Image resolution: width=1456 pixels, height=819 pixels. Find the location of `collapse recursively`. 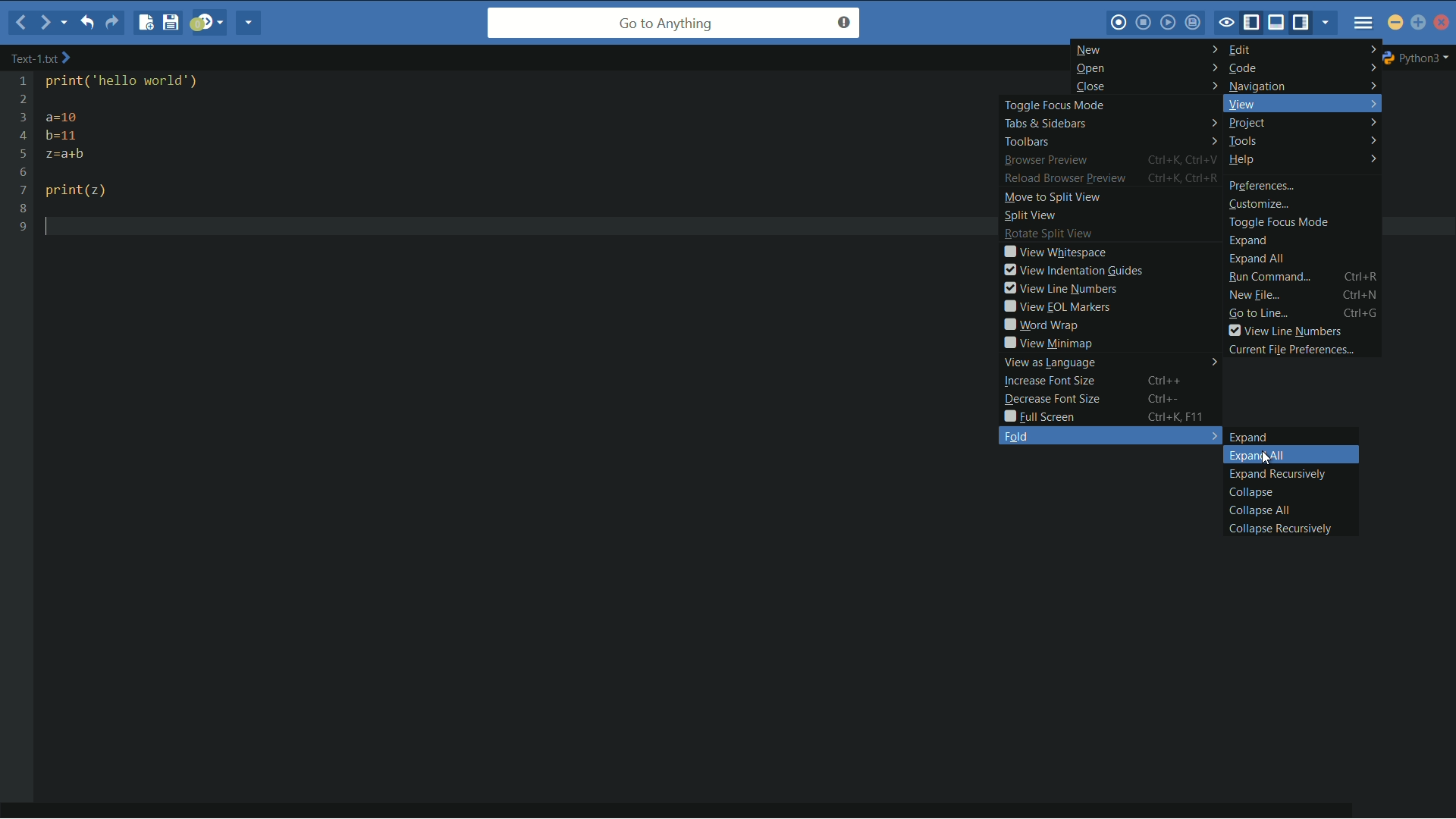

collapse recursively is located at coordinates (1277, 529).